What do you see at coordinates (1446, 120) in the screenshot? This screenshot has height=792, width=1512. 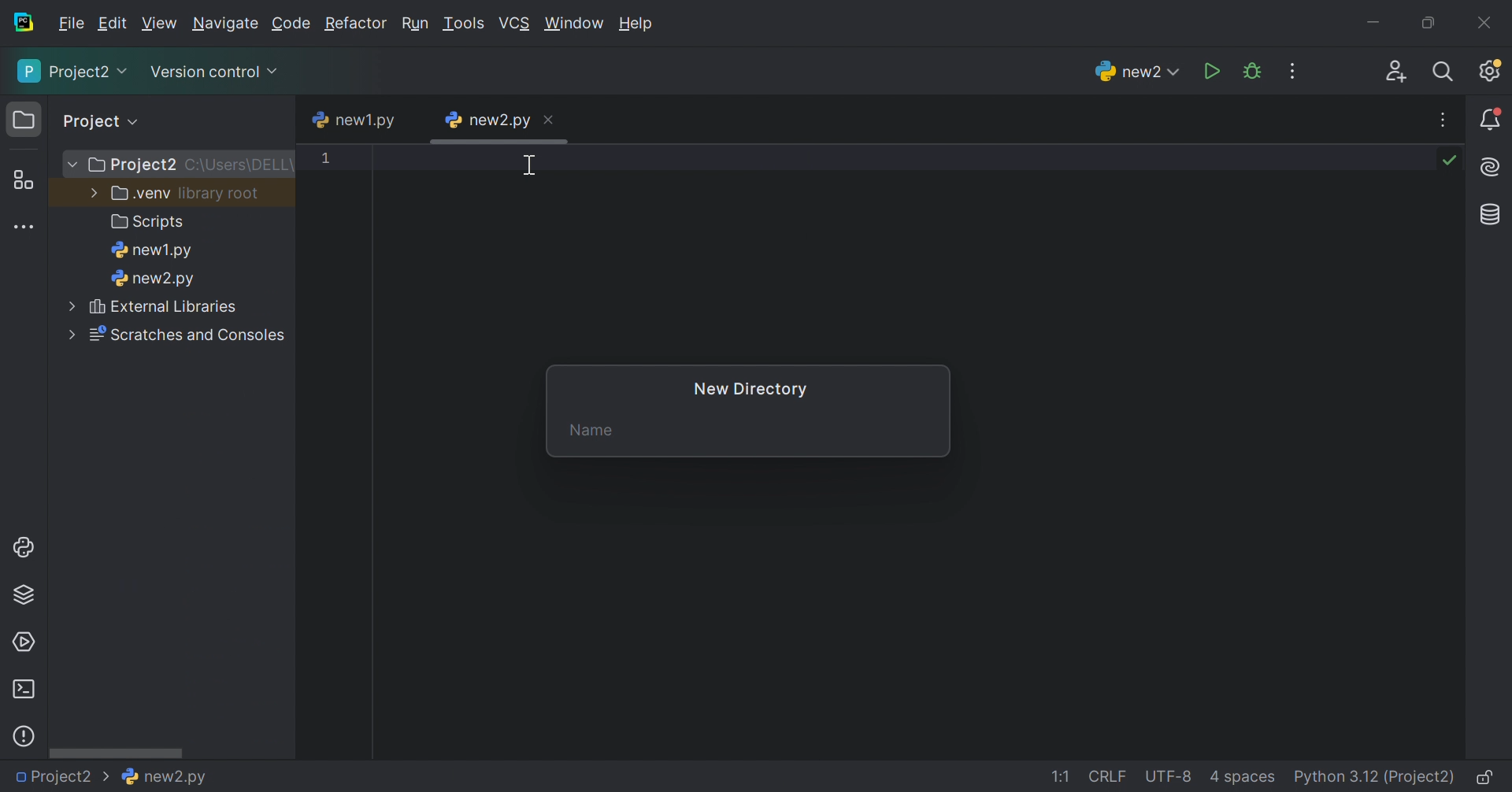 I see `More actions` at bounding box center [1446, 120].